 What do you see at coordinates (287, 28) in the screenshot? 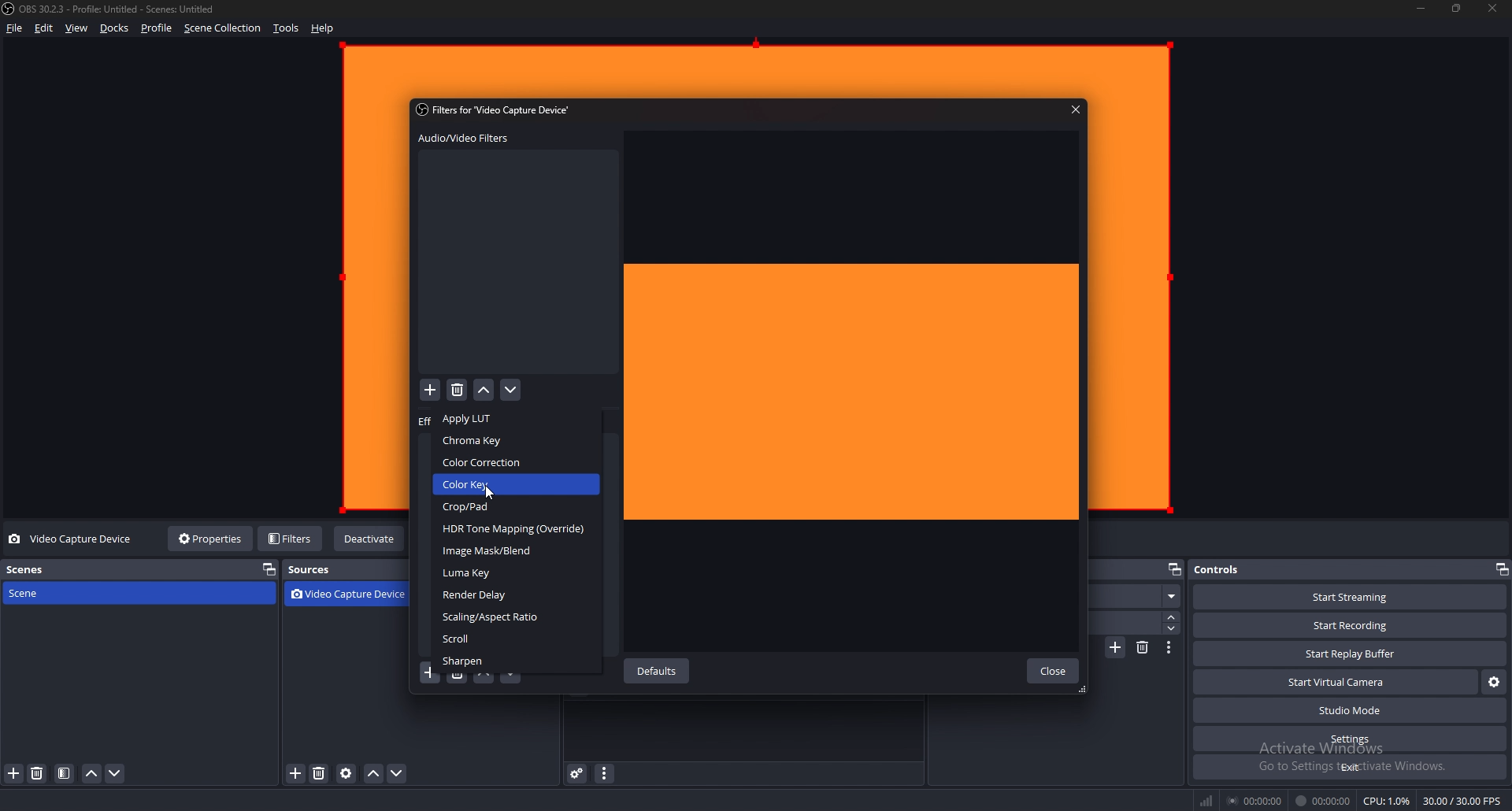
I see `tools` at bounding box center [287, 28].